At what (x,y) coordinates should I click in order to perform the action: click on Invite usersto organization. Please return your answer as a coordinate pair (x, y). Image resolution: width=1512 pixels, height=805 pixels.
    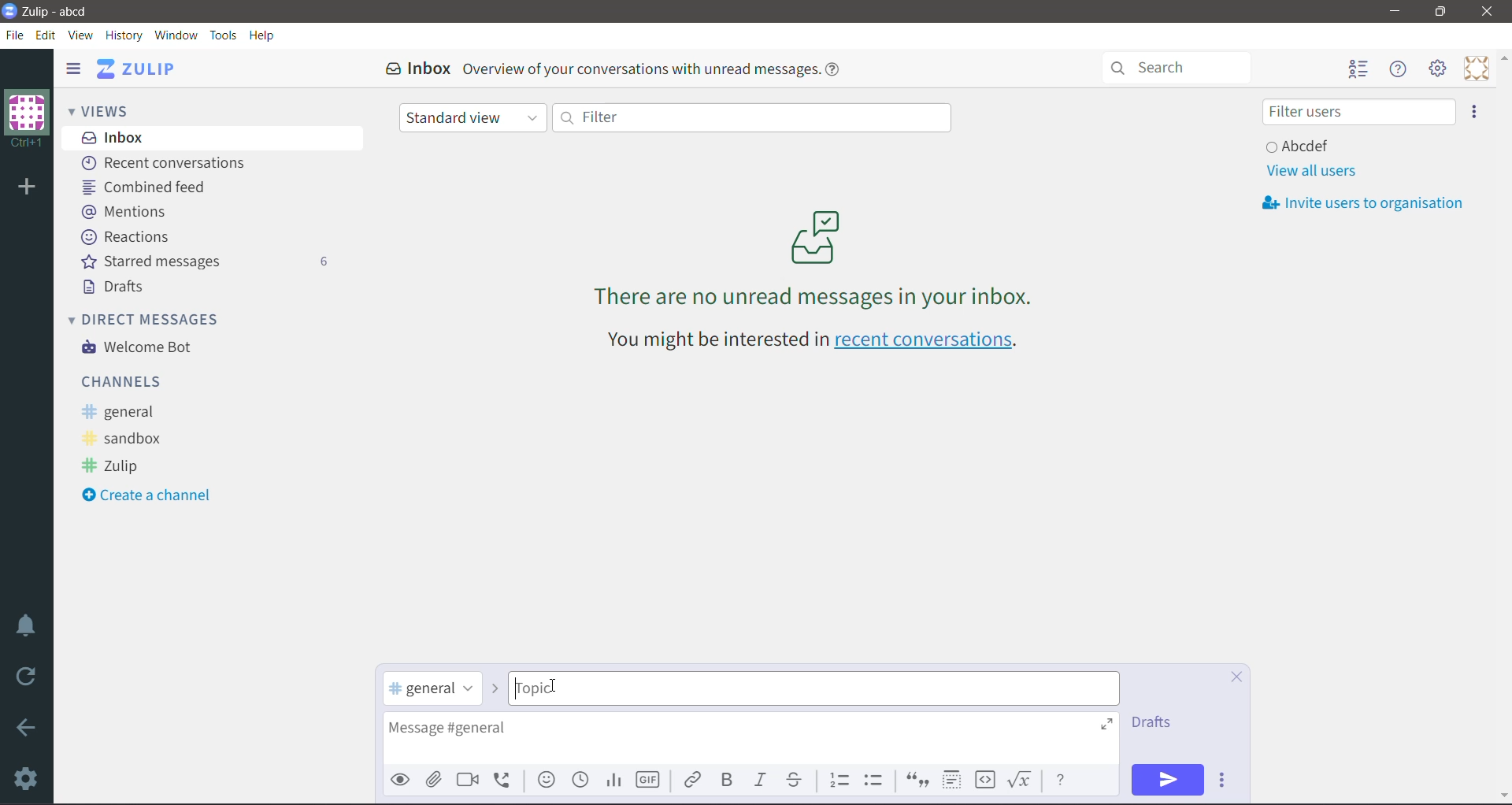
    Looking at the image, I should click on (1369, 203).